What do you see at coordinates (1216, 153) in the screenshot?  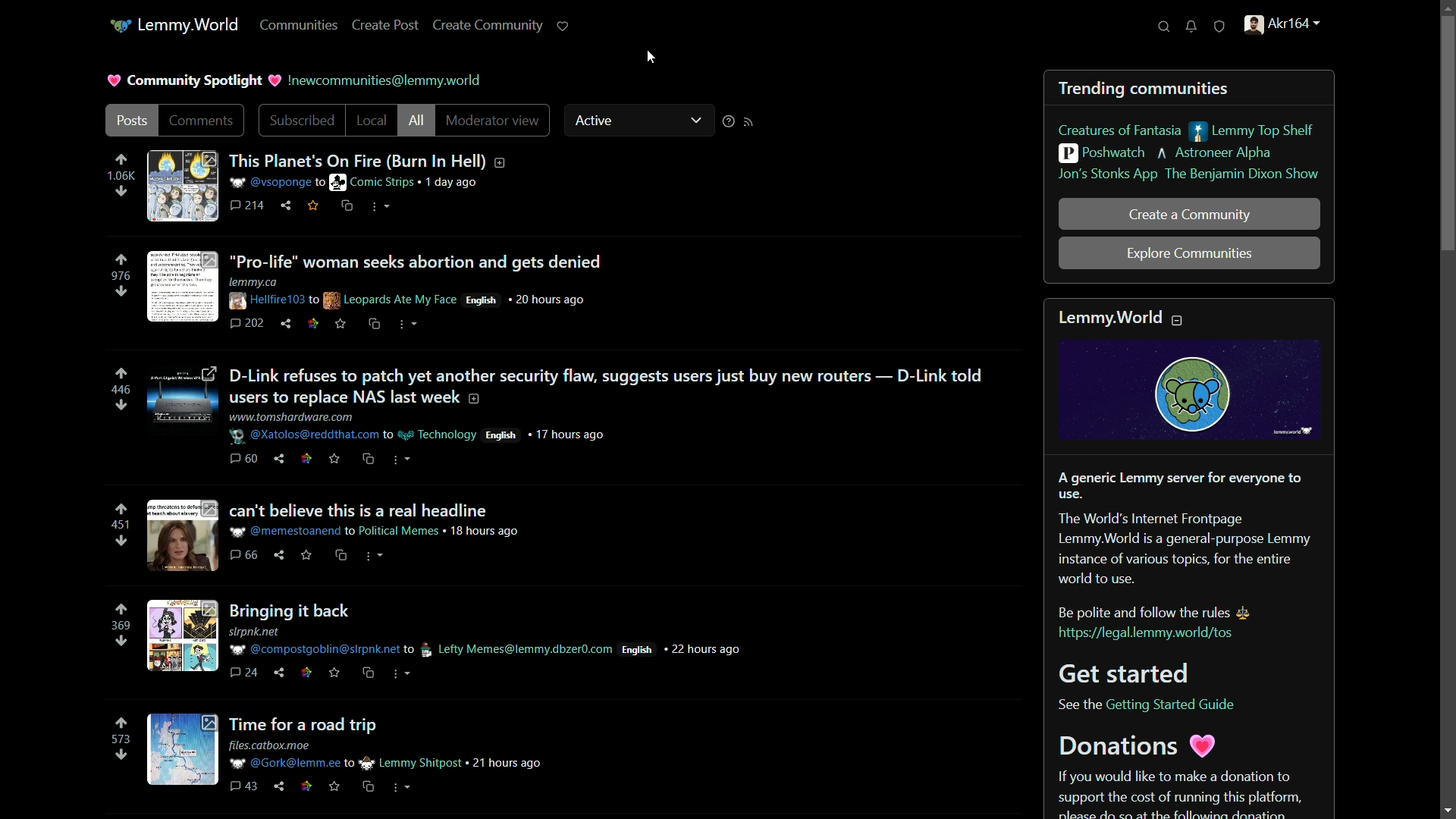 I see `astoneer alpha` at bounding box center [1216, 153].